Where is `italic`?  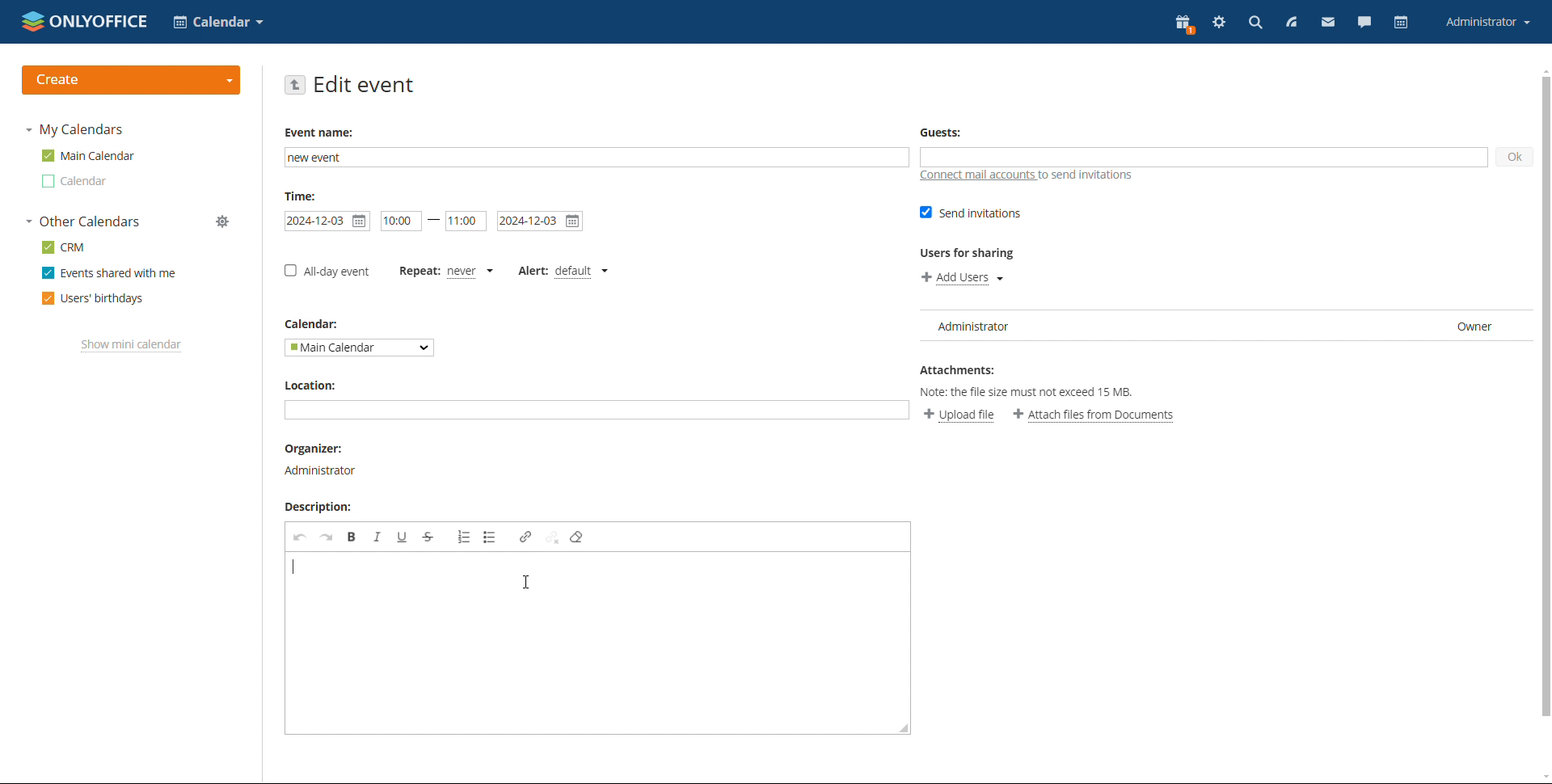 italic is located at coordinates (377, 537).